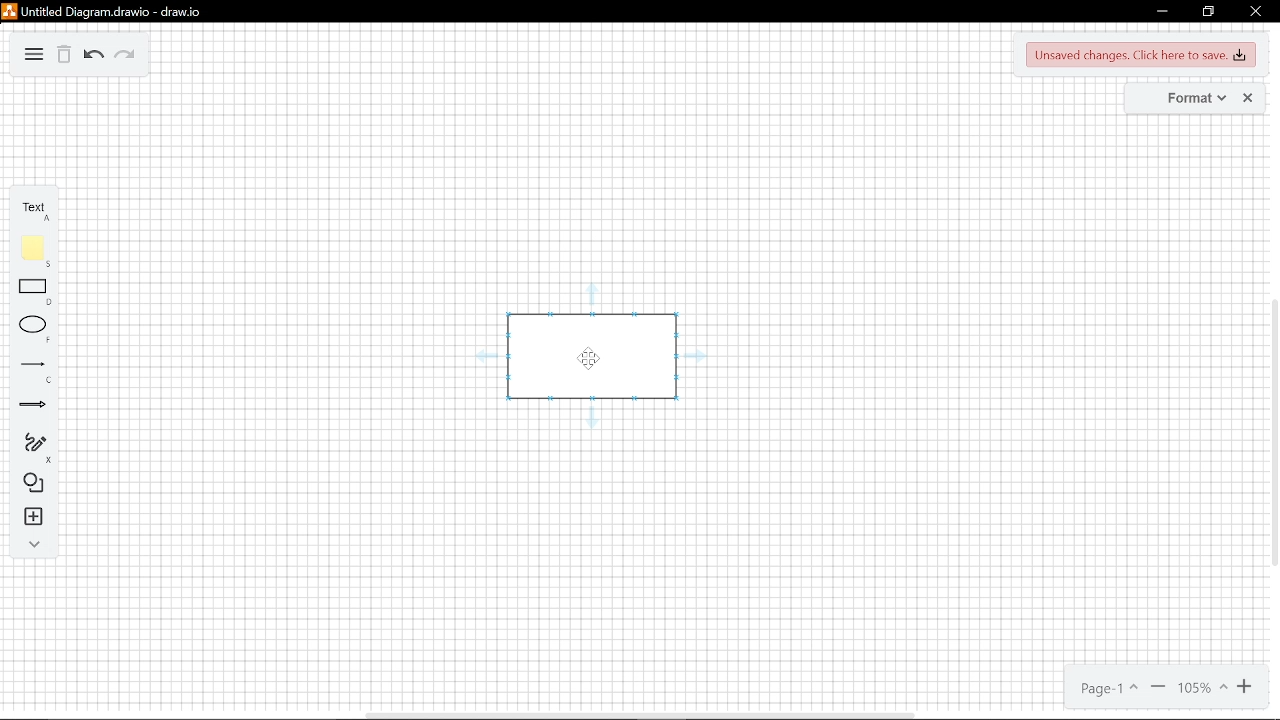 This screenshot has height=720, width=1280. Describe the element at coordinates (1246, 99) in the screenshot. I see `close` at that location.